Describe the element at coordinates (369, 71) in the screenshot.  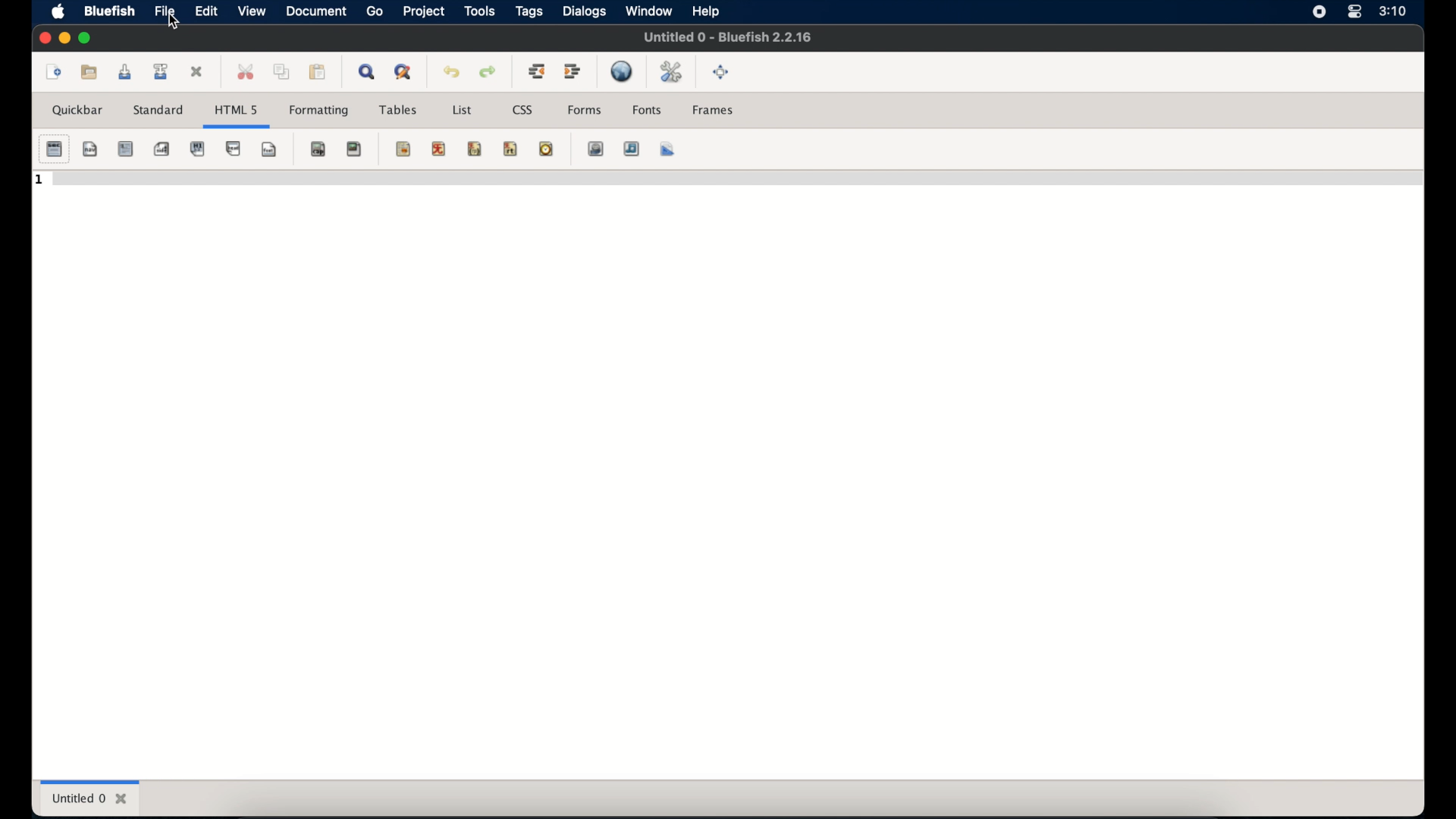
I see `show find bar` at that location.